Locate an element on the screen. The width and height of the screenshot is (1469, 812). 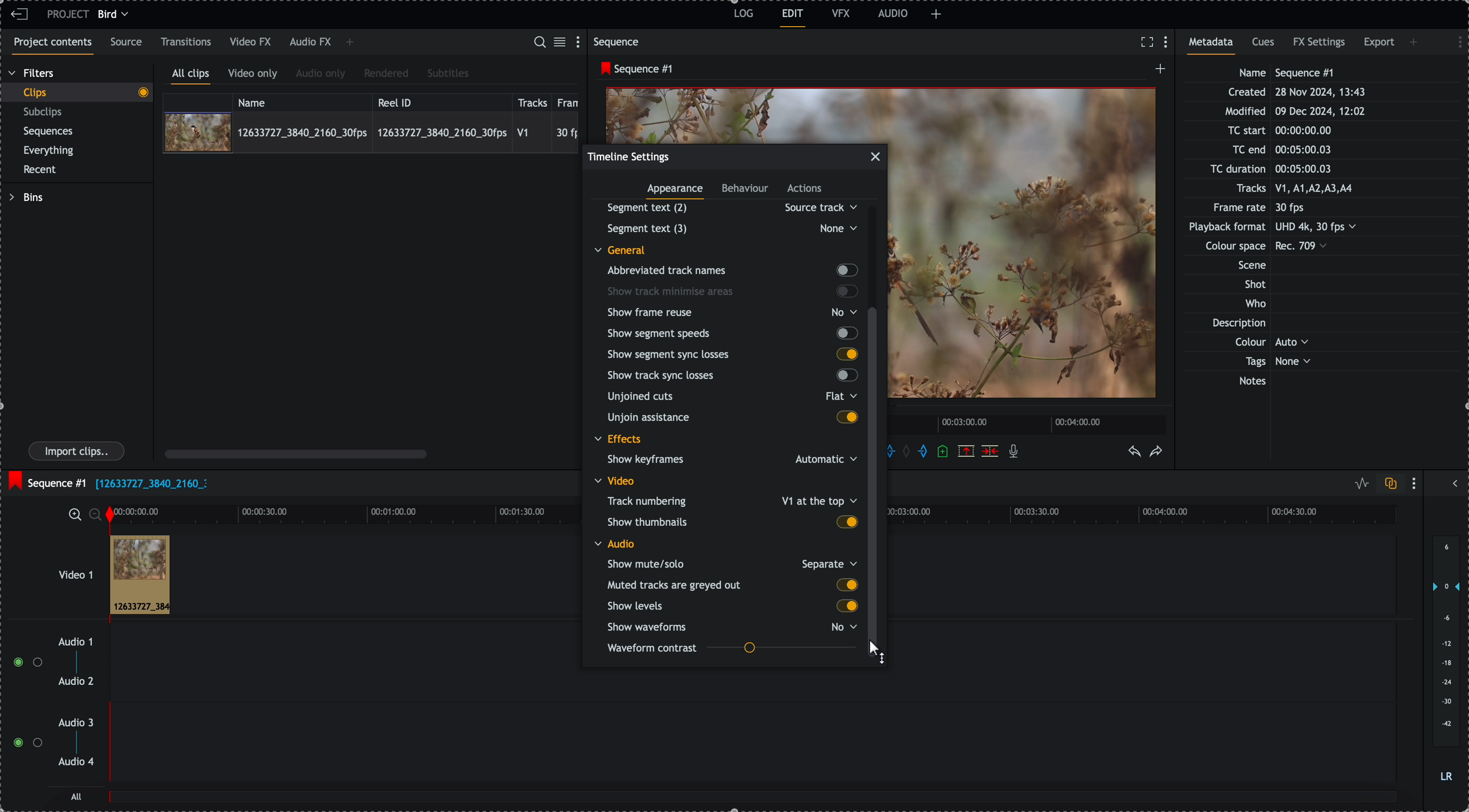
track audio is located at coordinates (752, 749).